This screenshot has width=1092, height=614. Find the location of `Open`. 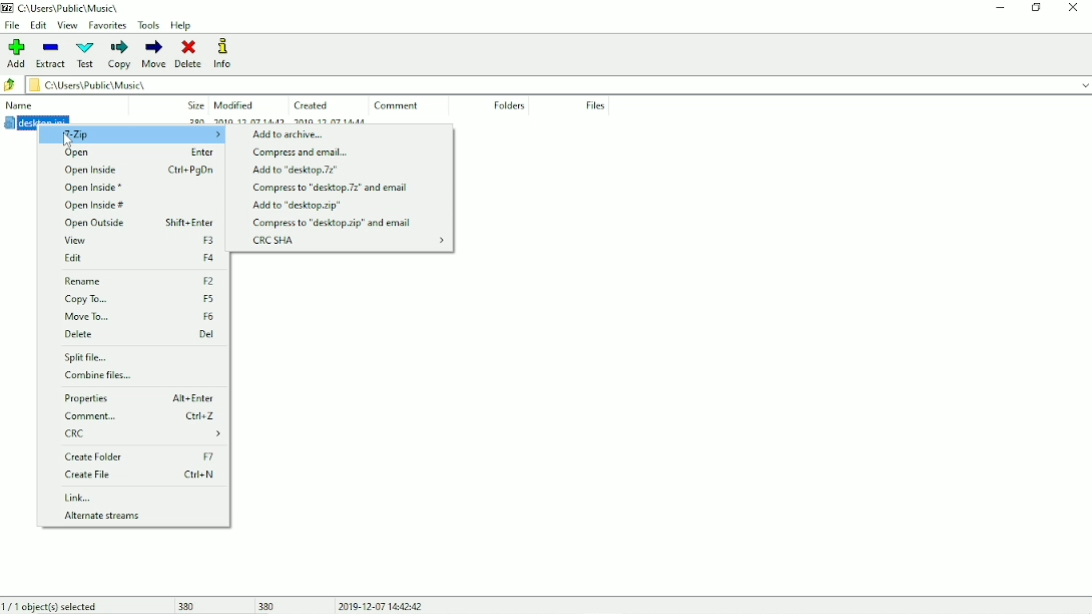

Open is located at coordinates (132, 153).